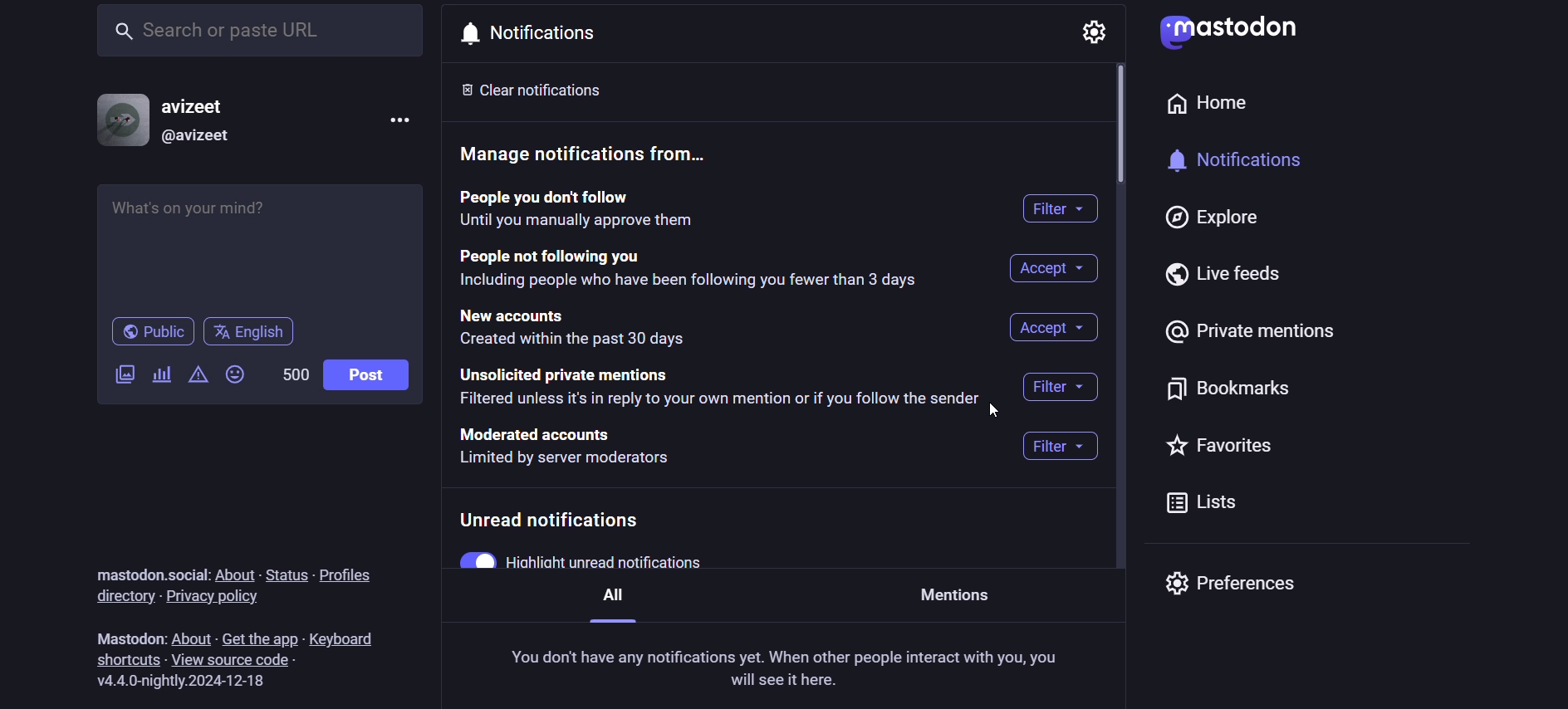 This screenshot has width=1568, height=709. Describe the element at coordinates (1050, 268) in the screenshot. I see `accept` at that location.